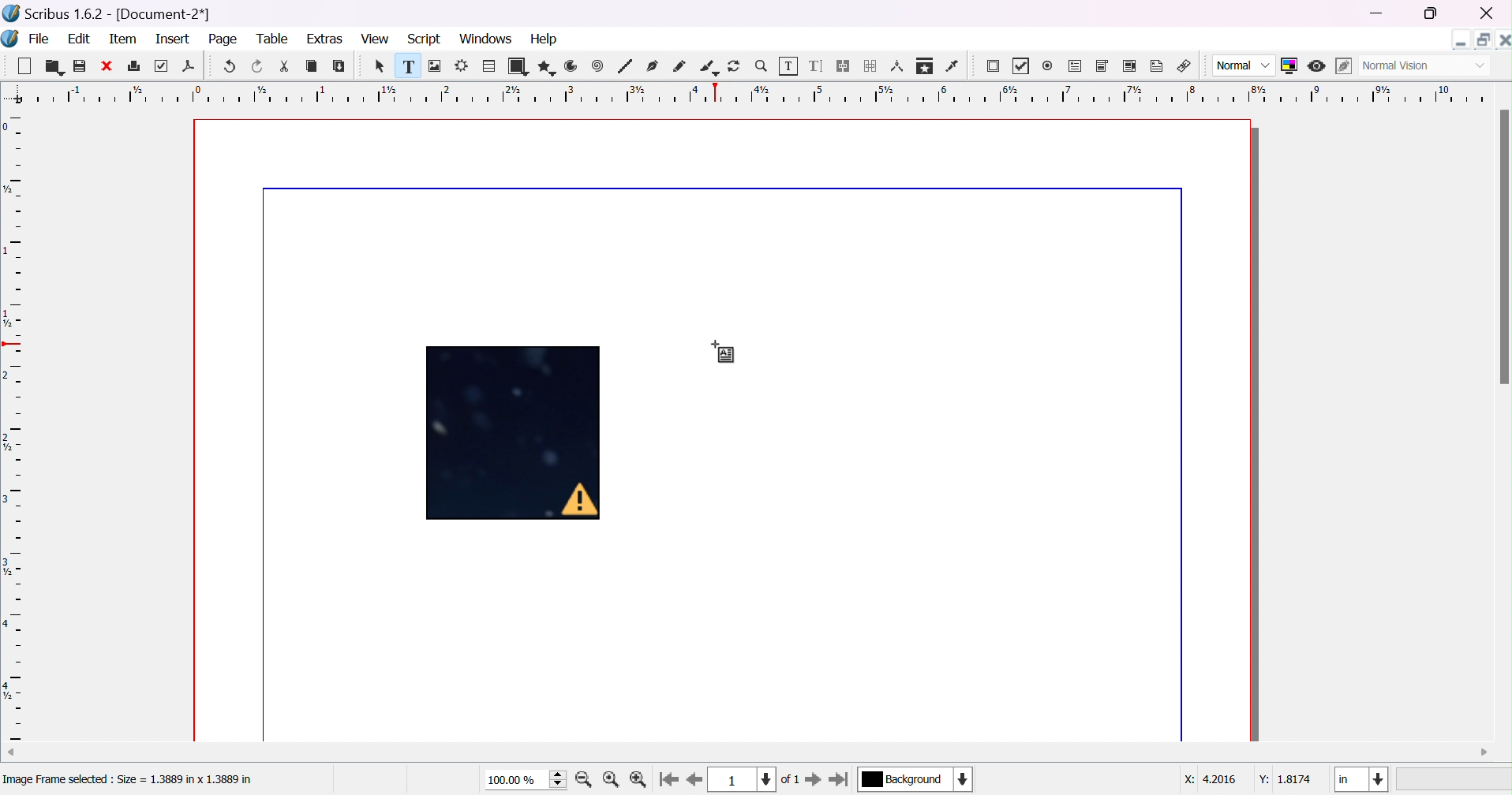 This screenshot has width=1512, height=795. I want to click on line, so click(625, 66).